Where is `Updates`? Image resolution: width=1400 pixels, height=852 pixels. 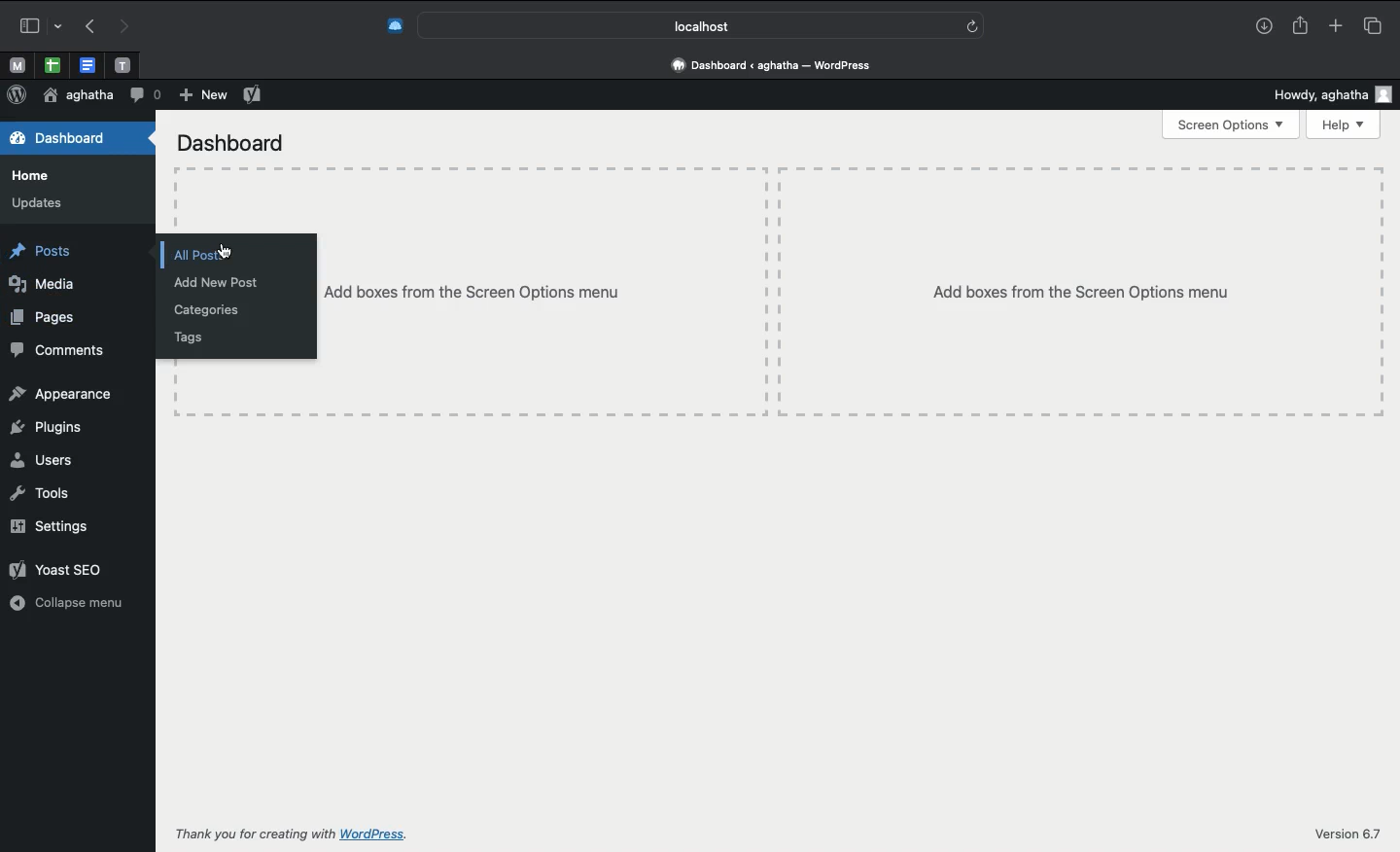
Updates is located at coordinates (35, 203).